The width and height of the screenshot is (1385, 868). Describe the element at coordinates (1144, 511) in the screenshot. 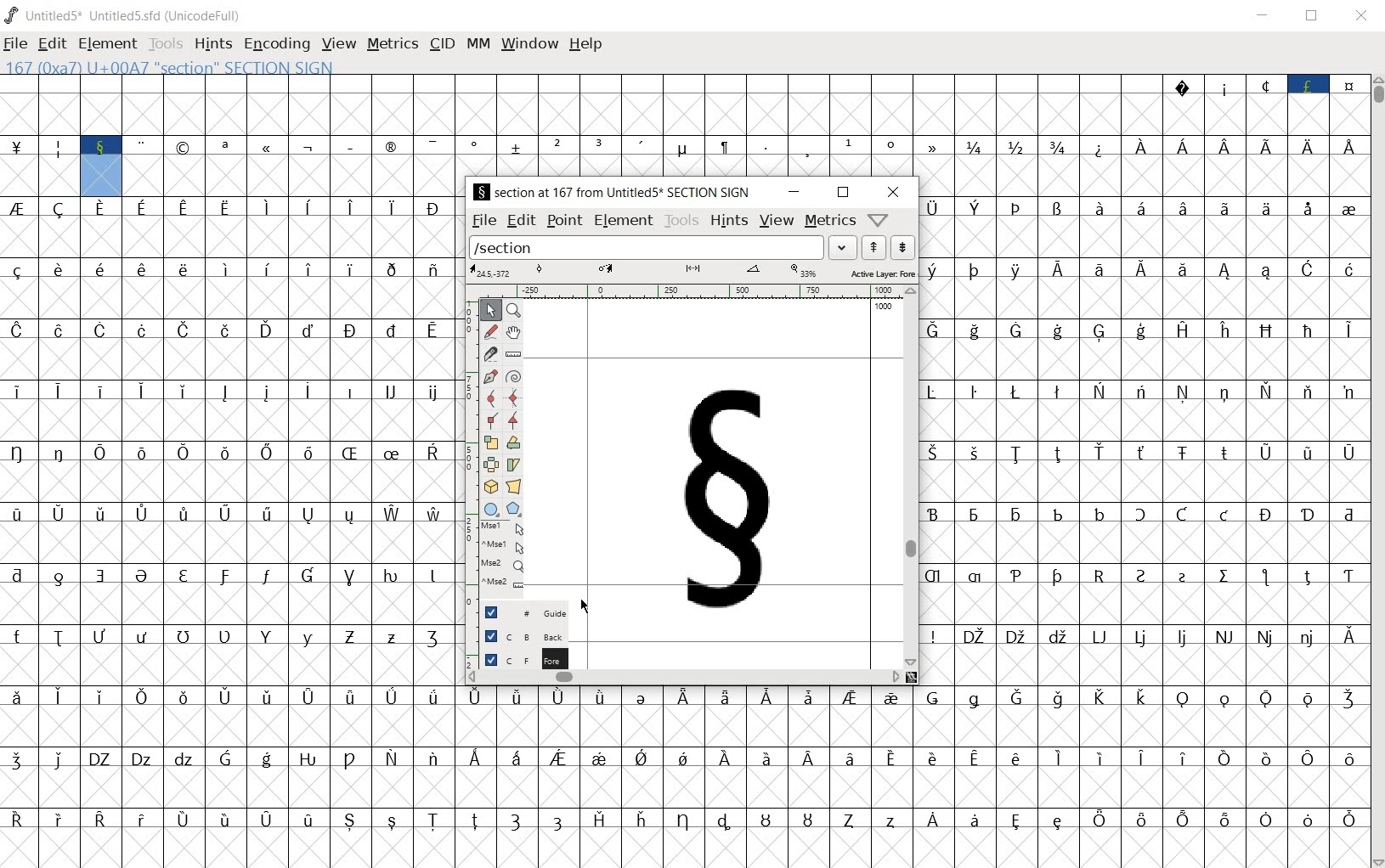

I see `special letters` at that location.